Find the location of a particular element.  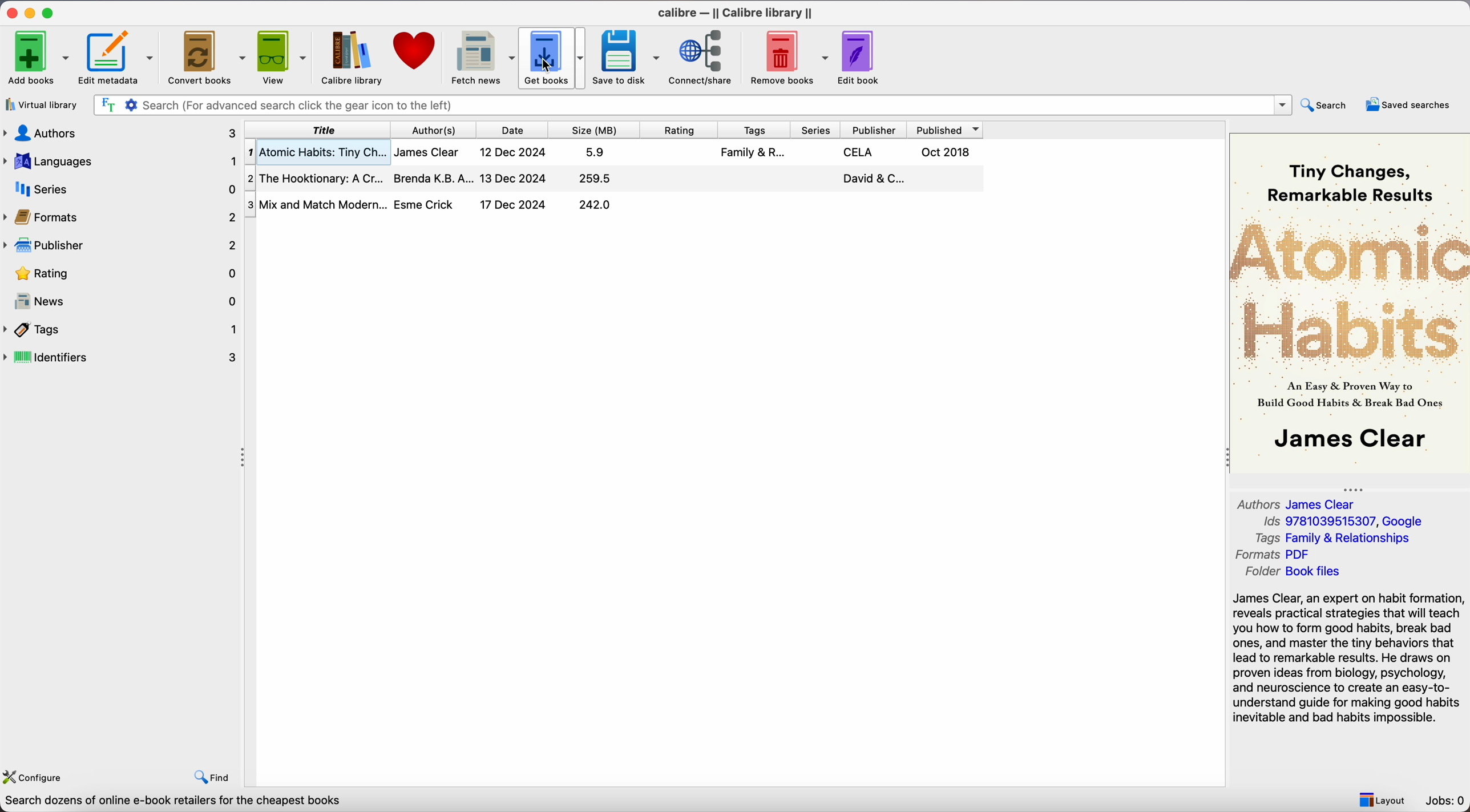

layout is located at coordinates (1382, 800).